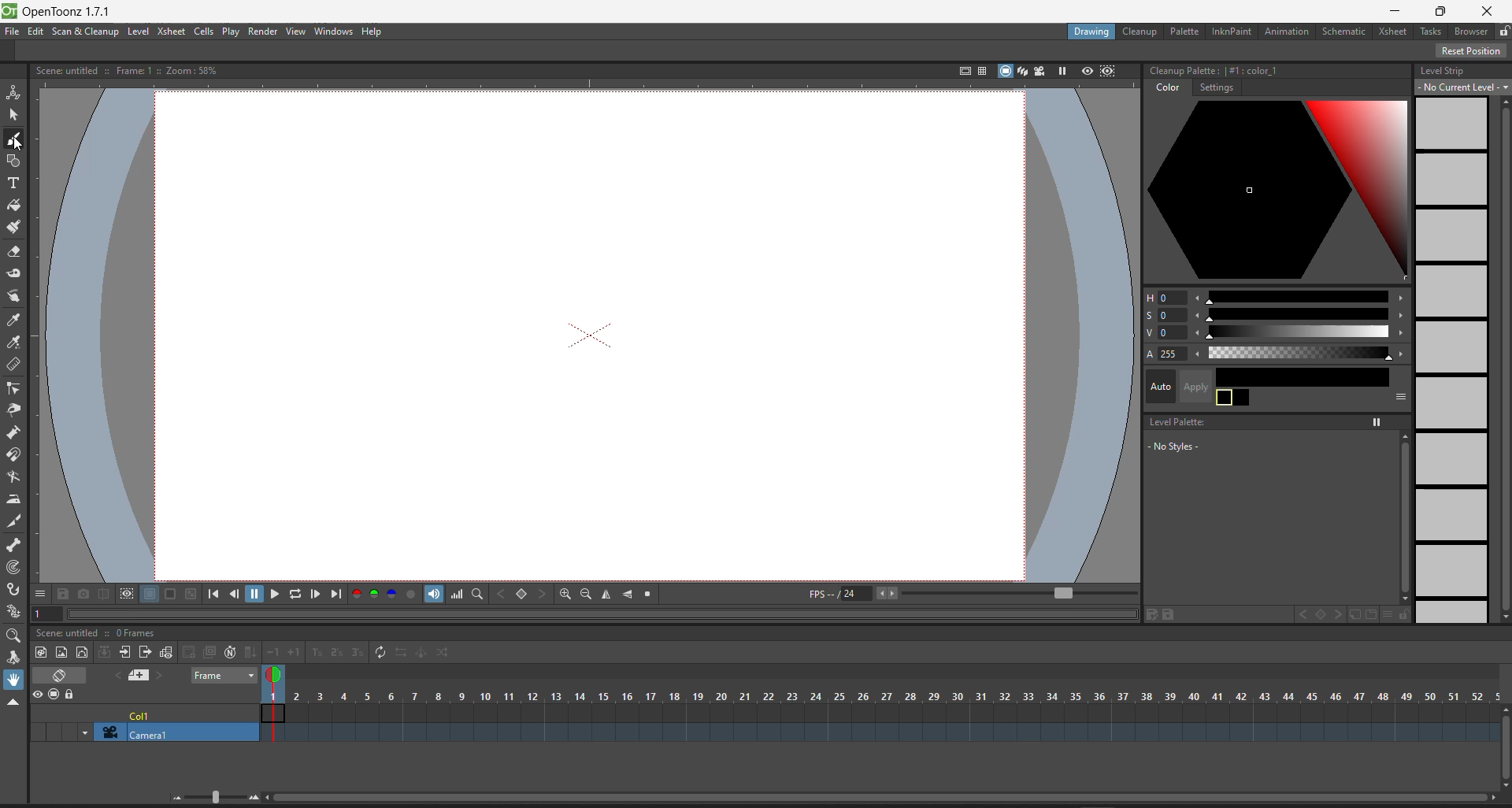  Describe the element at coordinates (1399, 396) in the screenshot. I see `show or hide parts of color page` at that location.